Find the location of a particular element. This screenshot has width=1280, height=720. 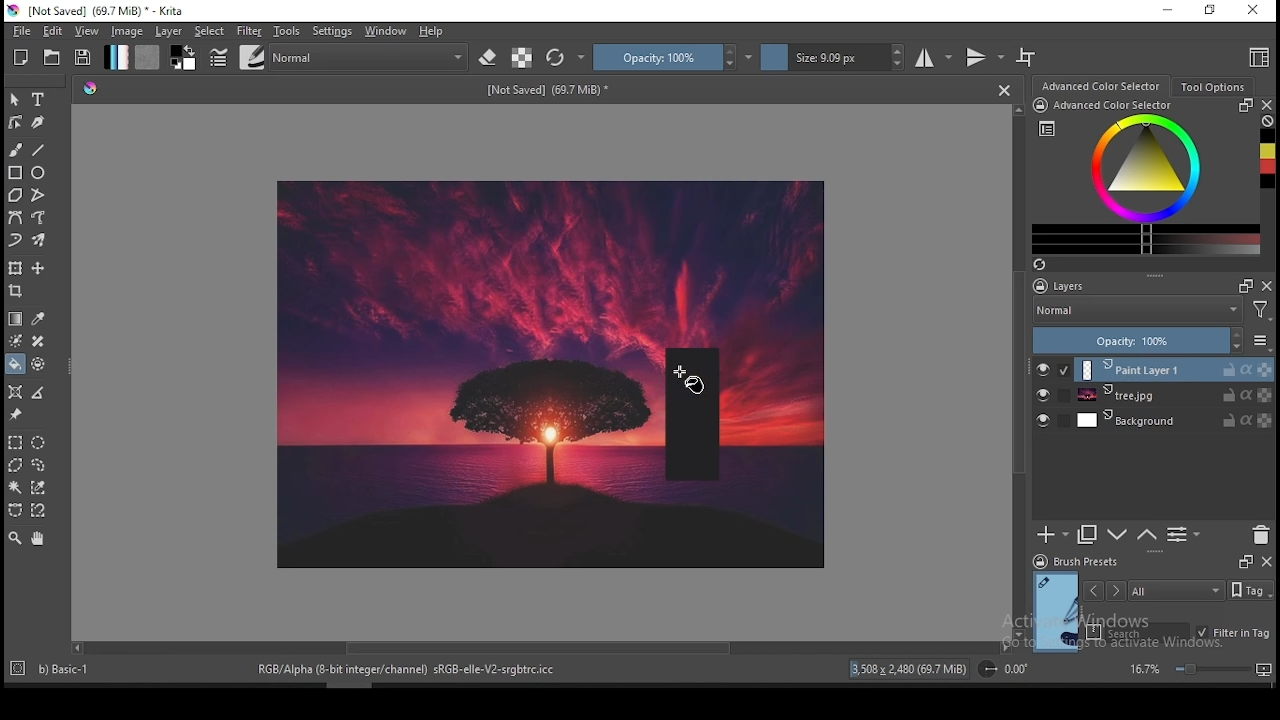

new is located at coordinates (22, 57).